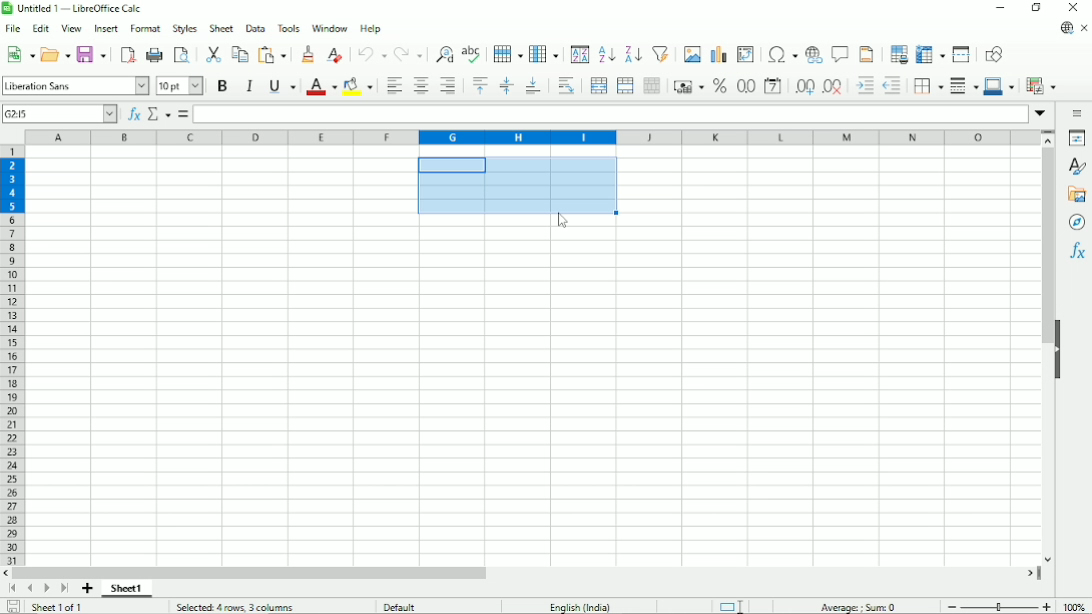 This screenshot has height=614, width=1092. What do you see at coordinates (840, 53) in the screenshot?
I see `Insert comment` at bounding box center [840, 53].